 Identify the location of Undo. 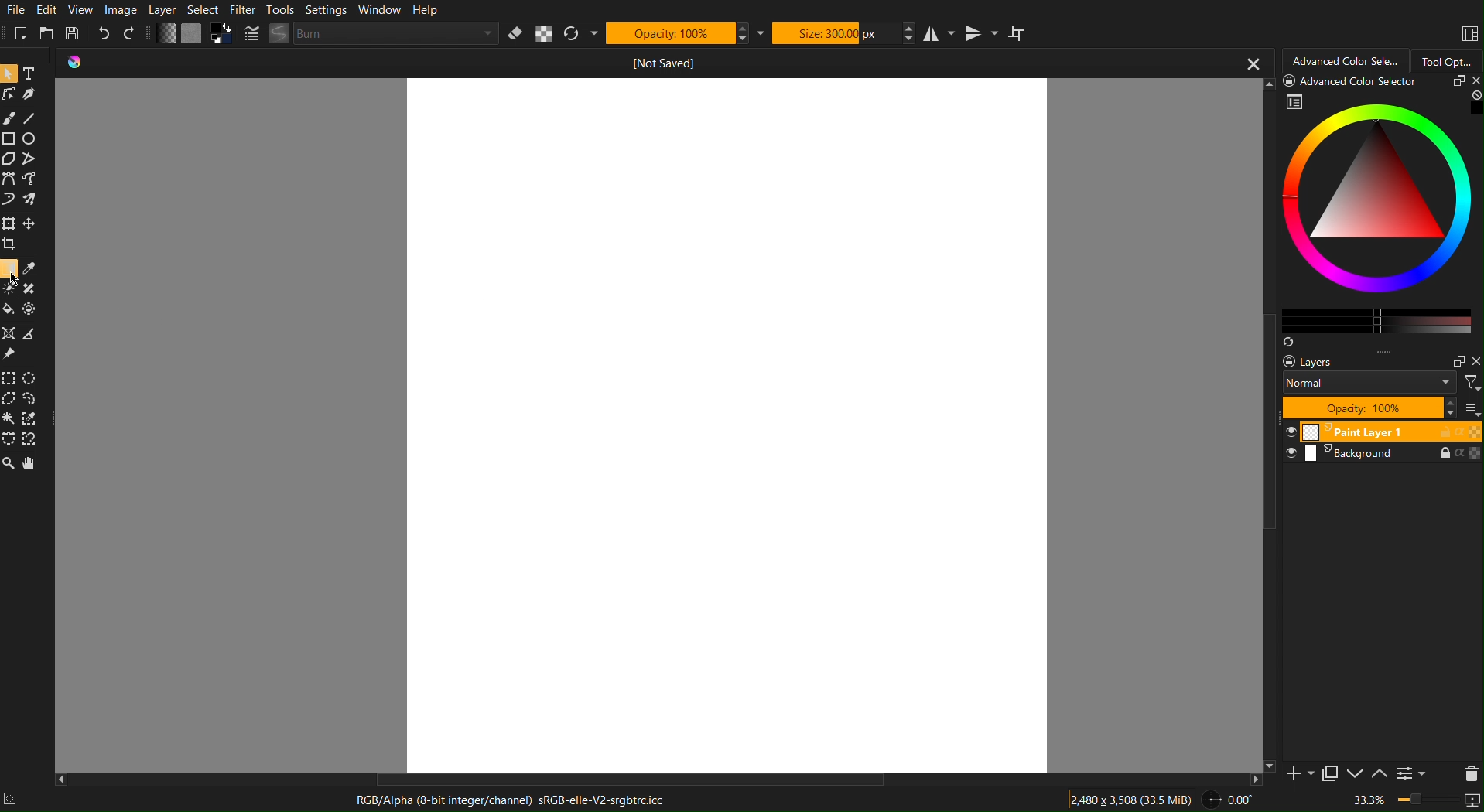
(105, 34).